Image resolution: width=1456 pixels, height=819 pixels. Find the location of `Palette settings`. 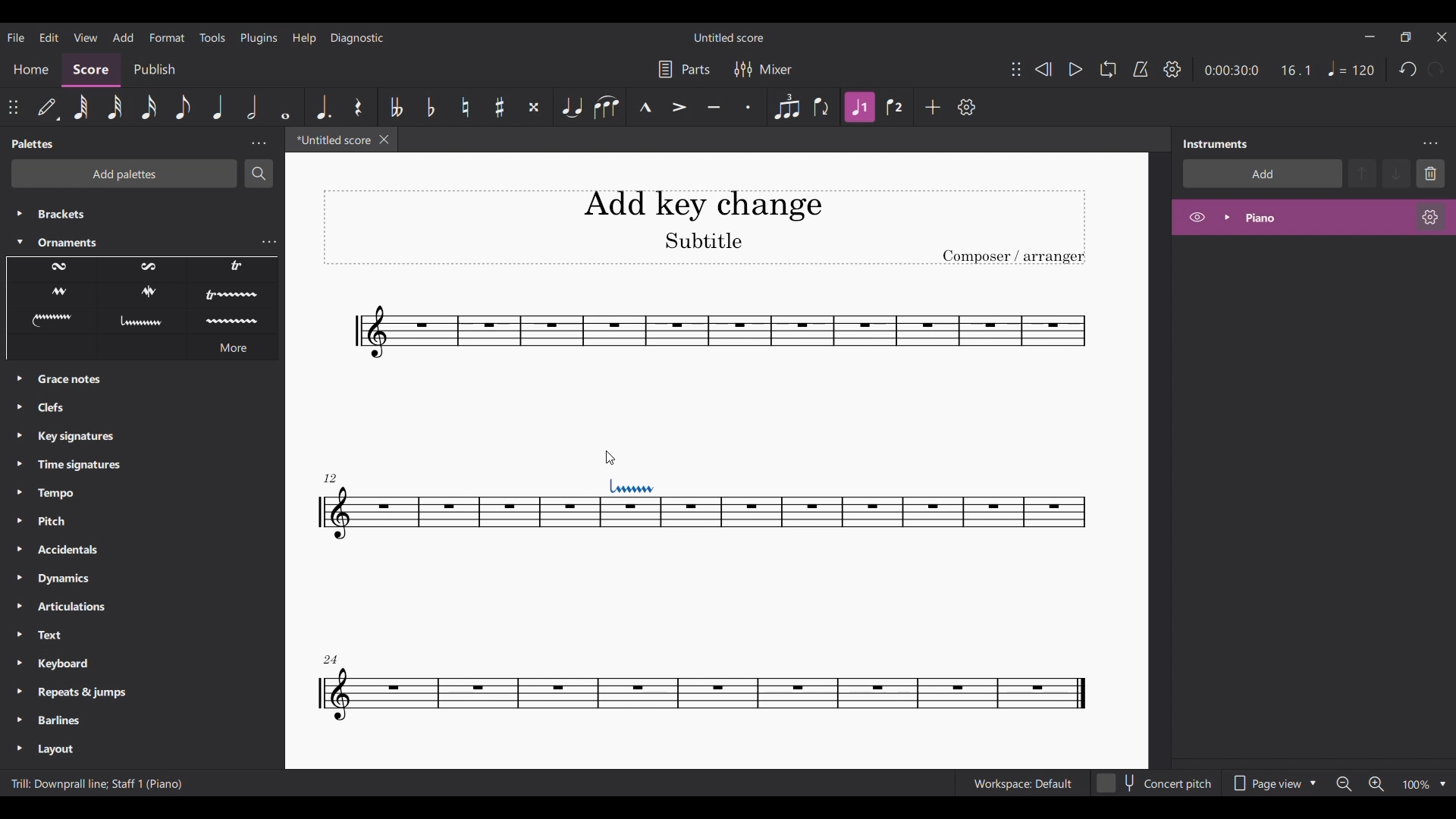

Palette settings is located at coordinates (259, 143).